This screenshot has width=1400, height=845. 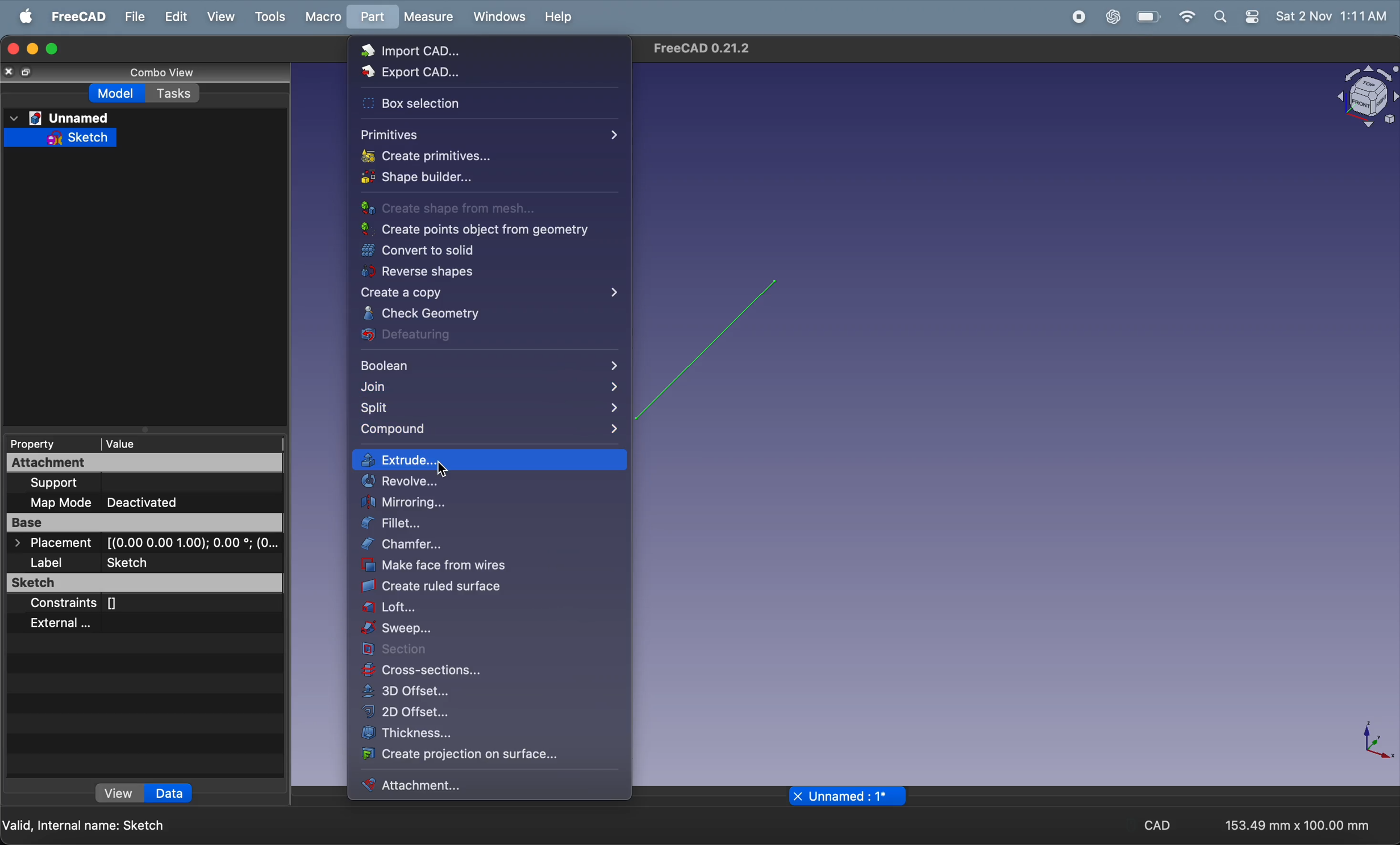 I want to click on data, so click(x=168, y=793).